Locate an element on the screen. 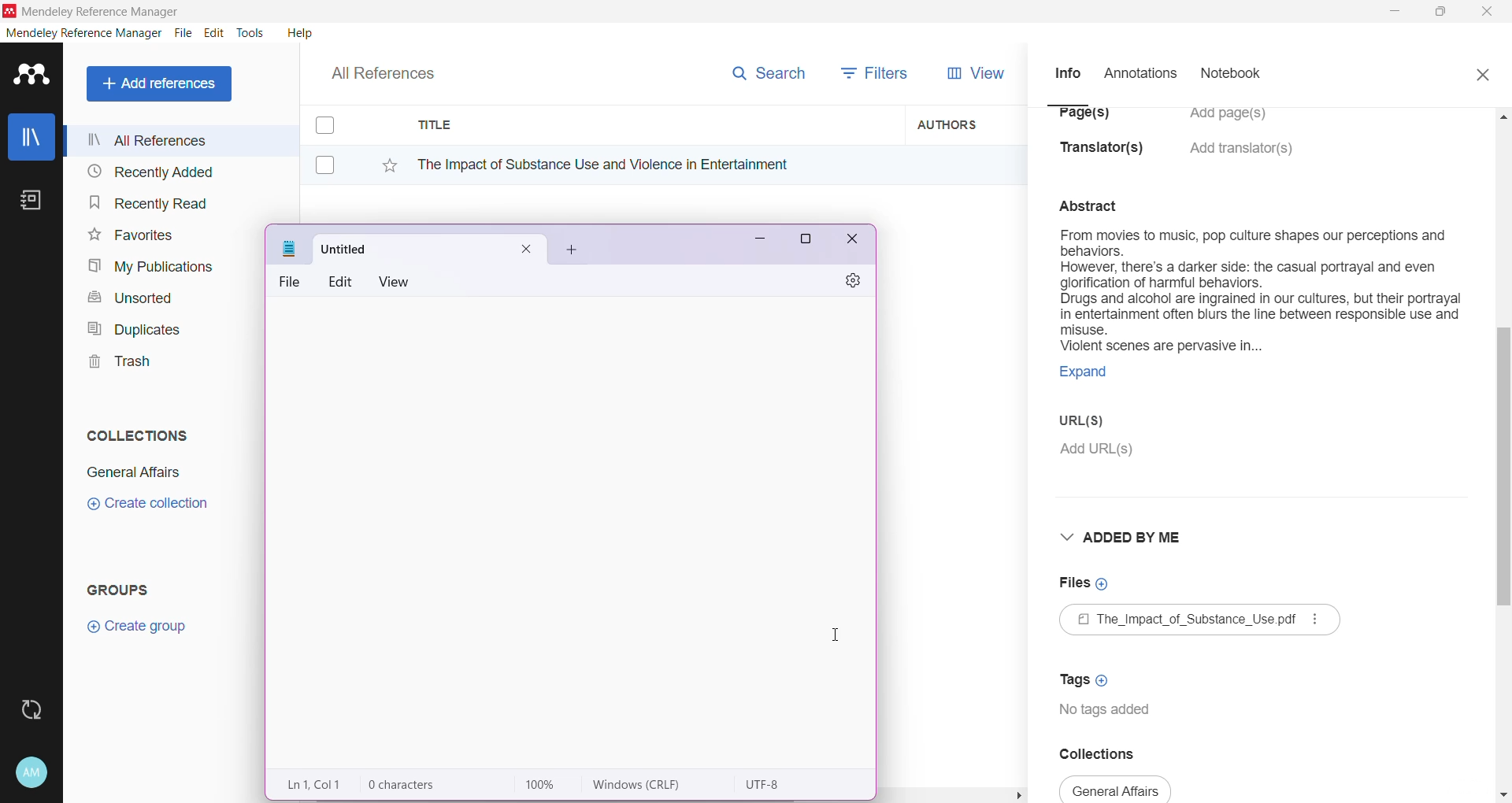 The width and height of the screenshot is (1512, 803). Close is located at coordinates (854, 242).